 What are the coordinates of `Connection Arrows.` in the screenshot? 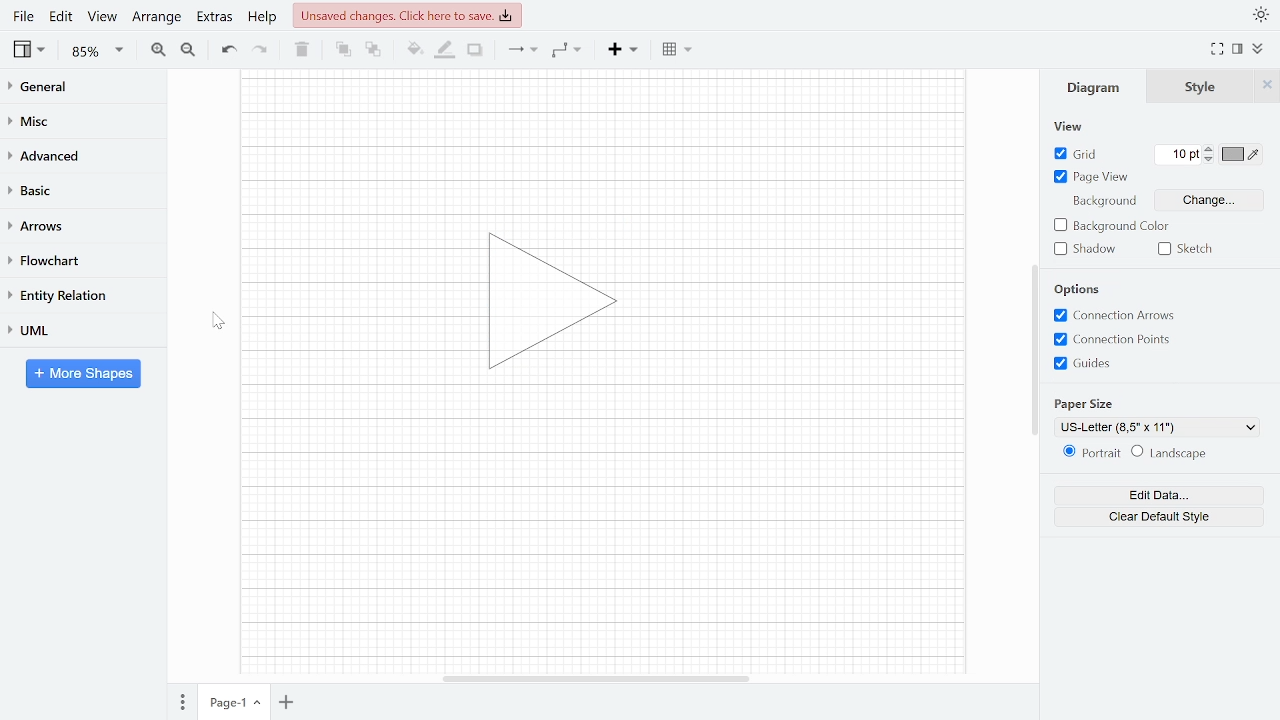 It's located at (1110, 314).